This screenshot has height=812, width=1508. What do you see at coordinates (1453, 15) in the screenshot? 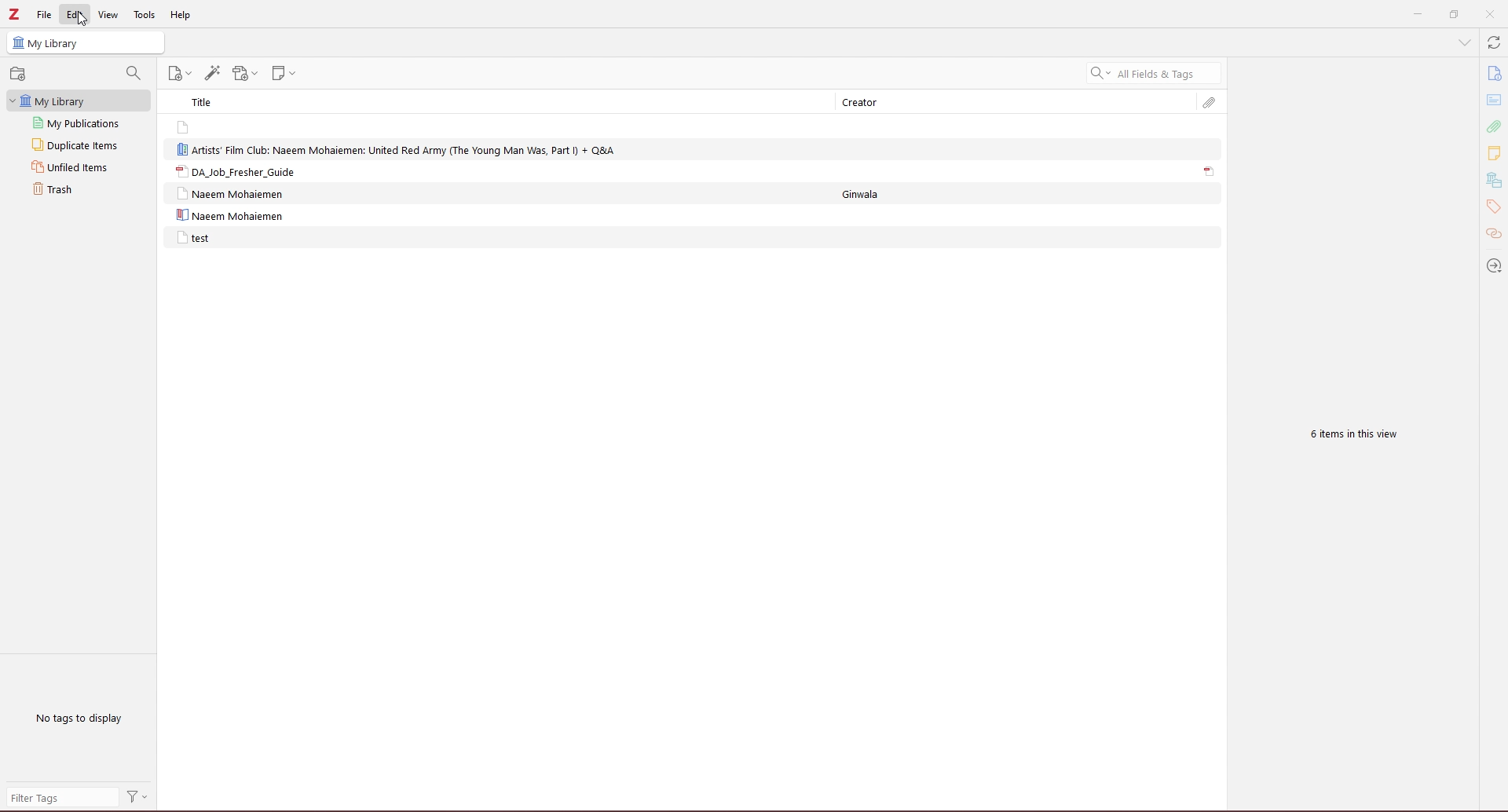
I see `resize` at bounding box center [1453, 15].